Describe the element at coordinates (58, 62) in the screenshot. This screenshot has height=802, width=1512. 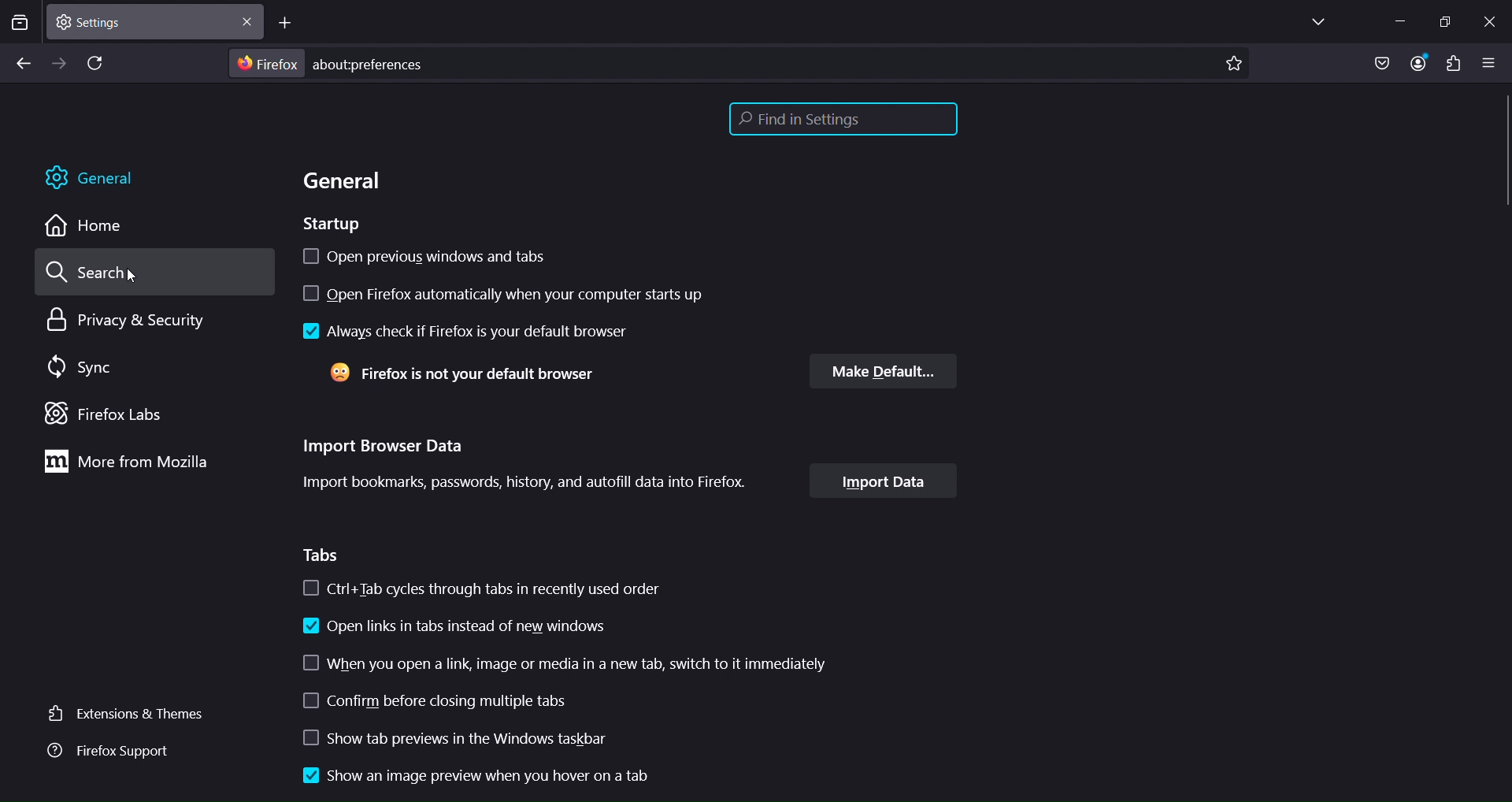
I see `go forwrd one page` at that location.